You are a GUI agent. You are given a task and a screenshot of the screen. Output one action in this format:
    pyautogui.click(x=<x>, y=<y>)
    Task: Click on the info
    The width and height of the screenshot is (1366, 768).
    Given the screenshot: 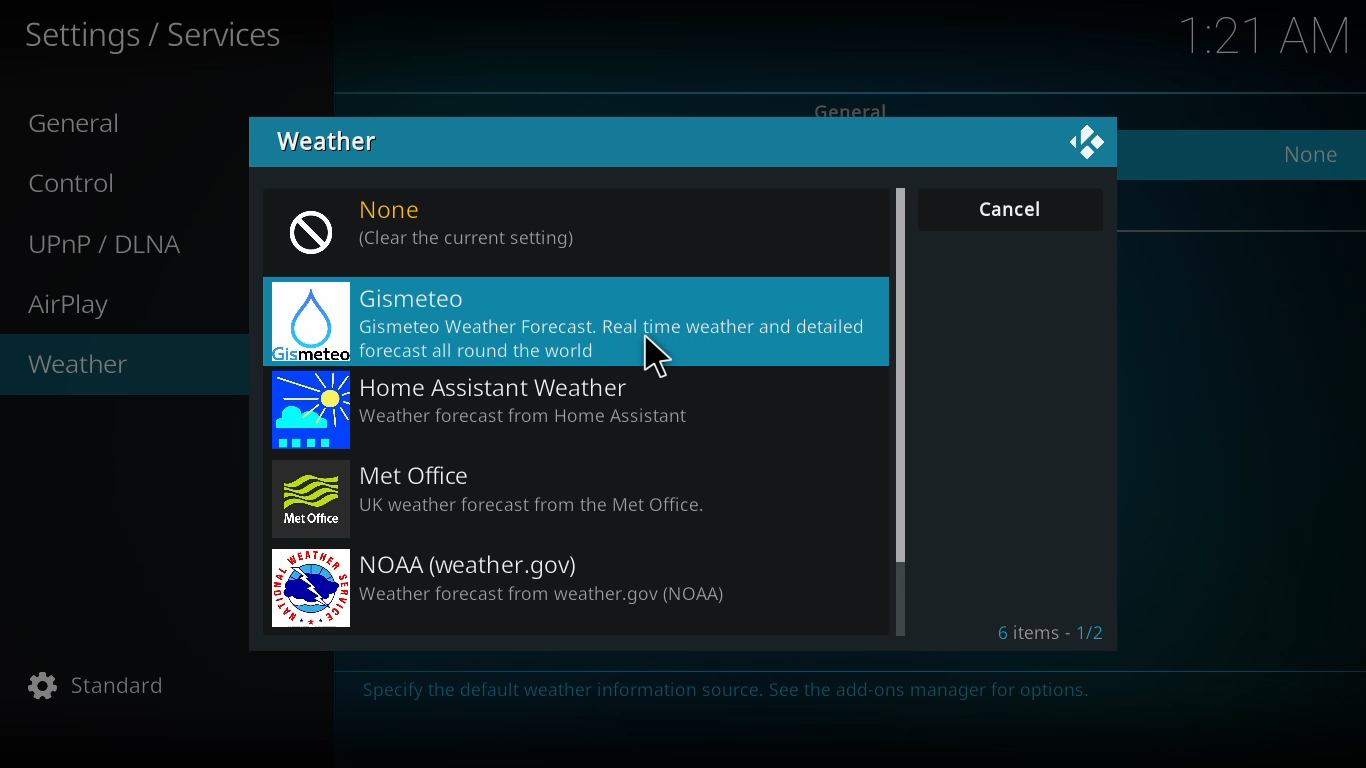 What is the action you would take?
    pyautogui.click(x=731, y=693)
    